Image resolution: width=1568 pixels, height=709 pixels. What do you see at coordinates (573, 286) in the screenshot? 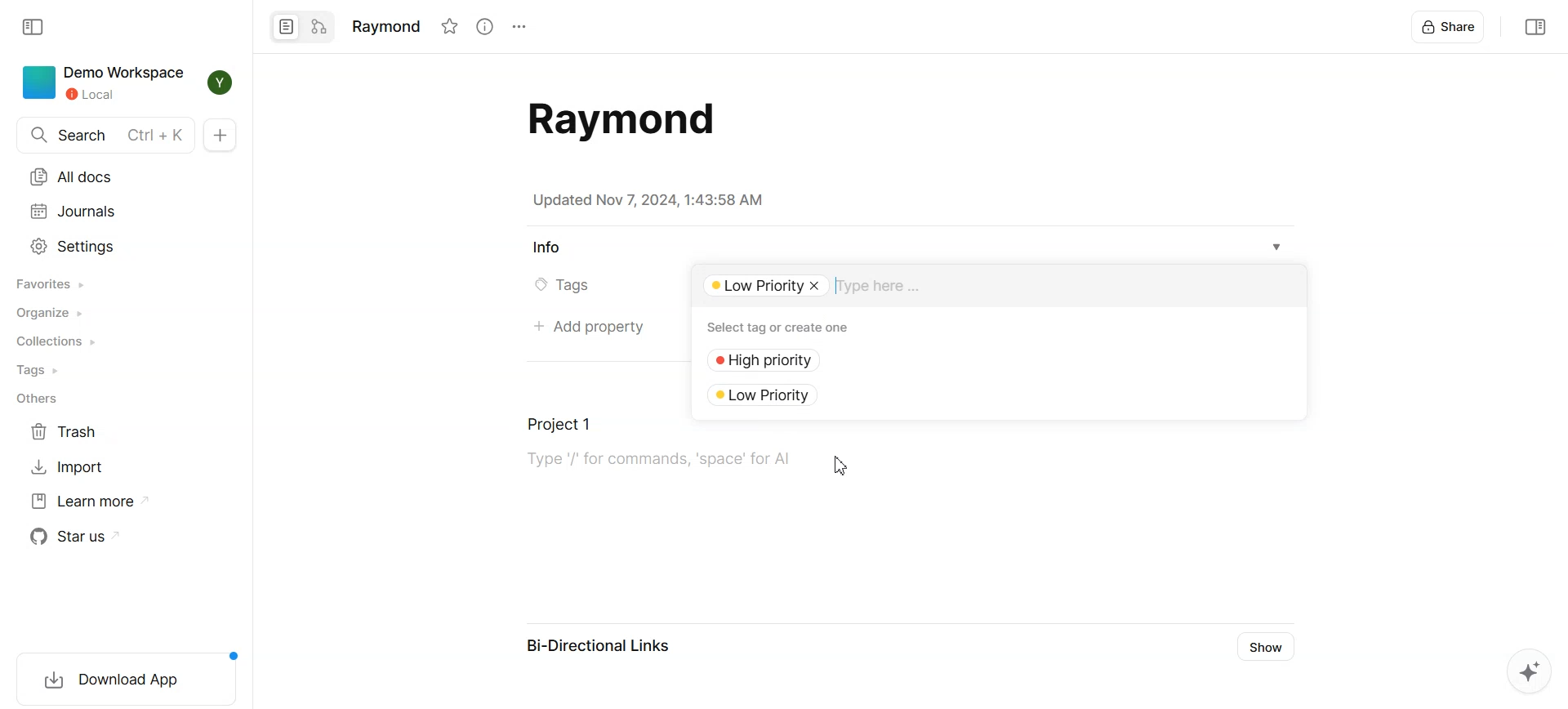
I see `© Tags` at bounding box center [573, 286].